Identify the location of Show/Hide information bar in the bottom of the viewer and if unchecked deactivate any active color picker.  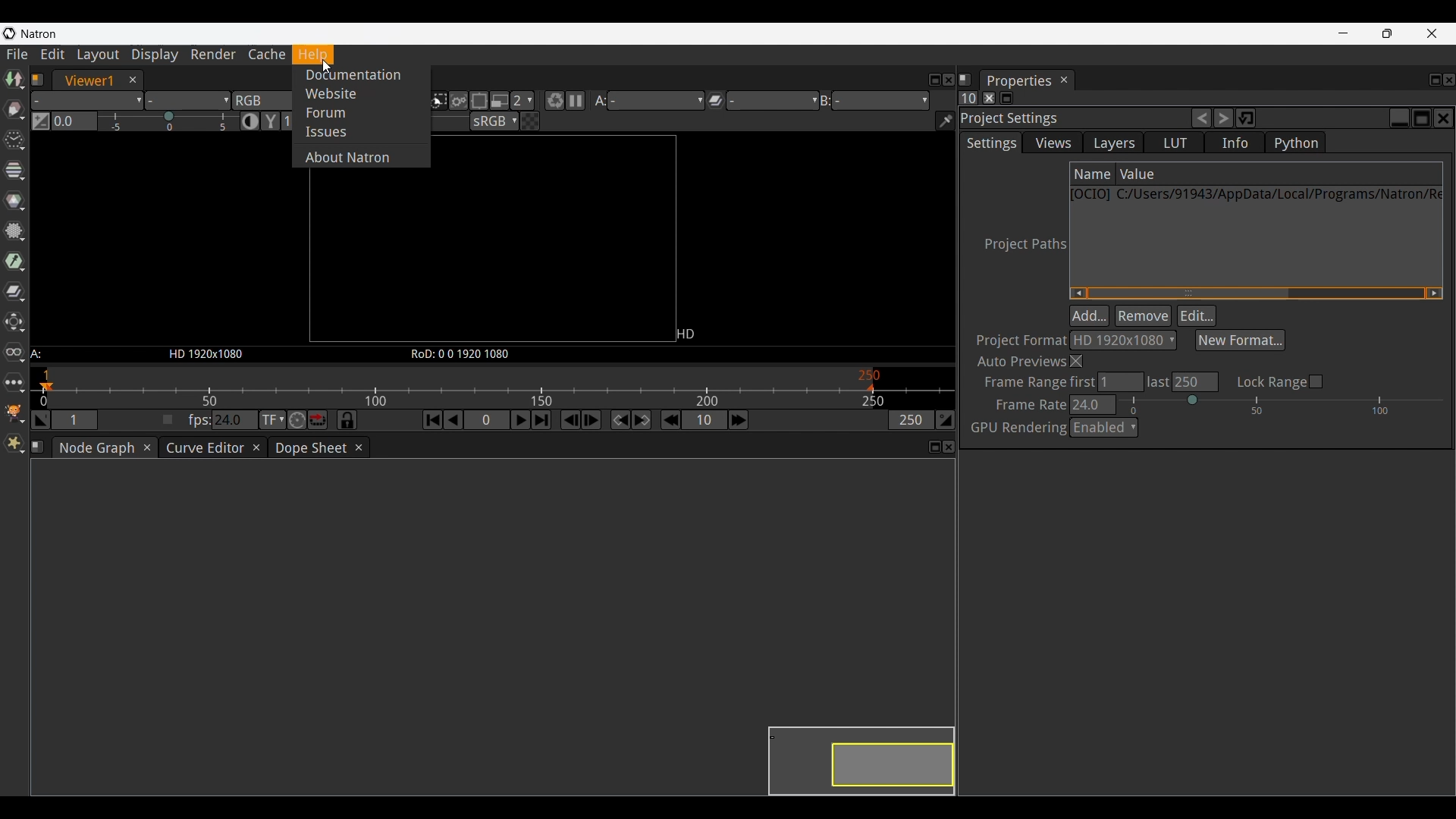
(945, 121).